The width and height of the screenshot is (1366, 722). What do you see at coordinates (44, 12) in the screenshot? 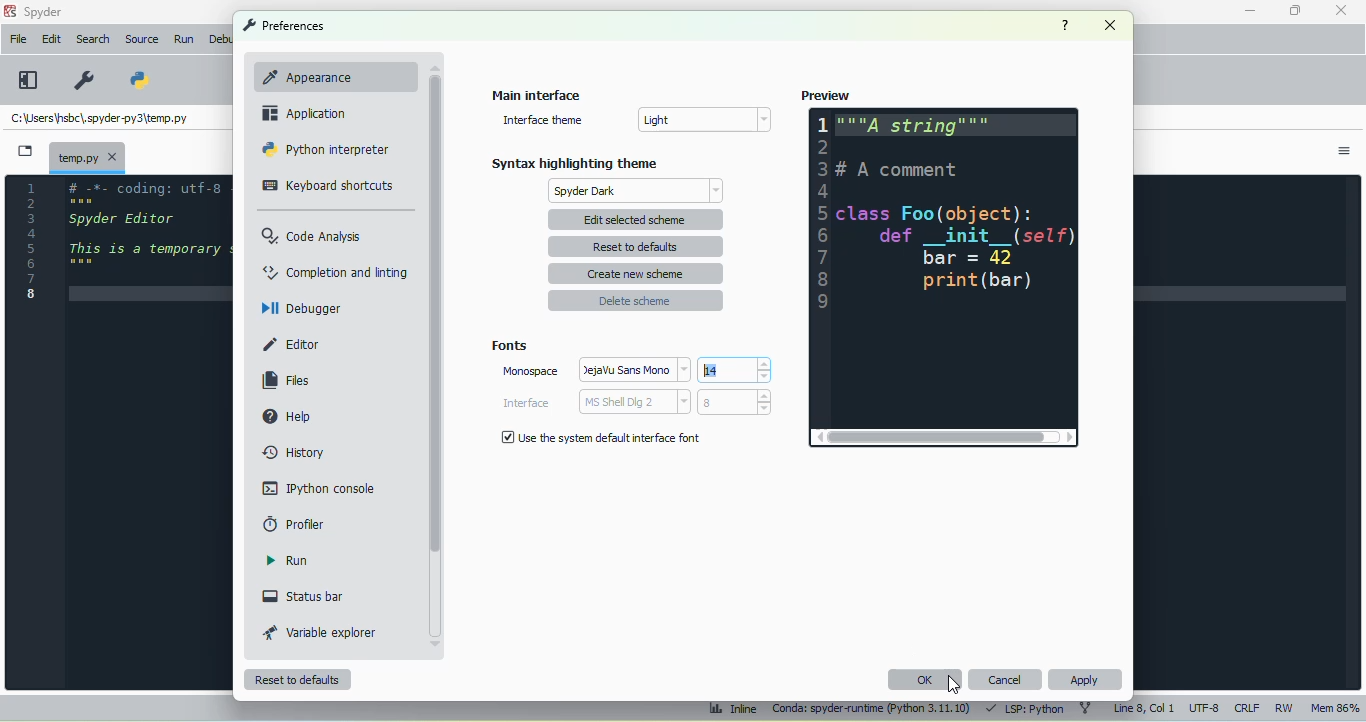
I see `spyder` at bounding box center [44, 12].